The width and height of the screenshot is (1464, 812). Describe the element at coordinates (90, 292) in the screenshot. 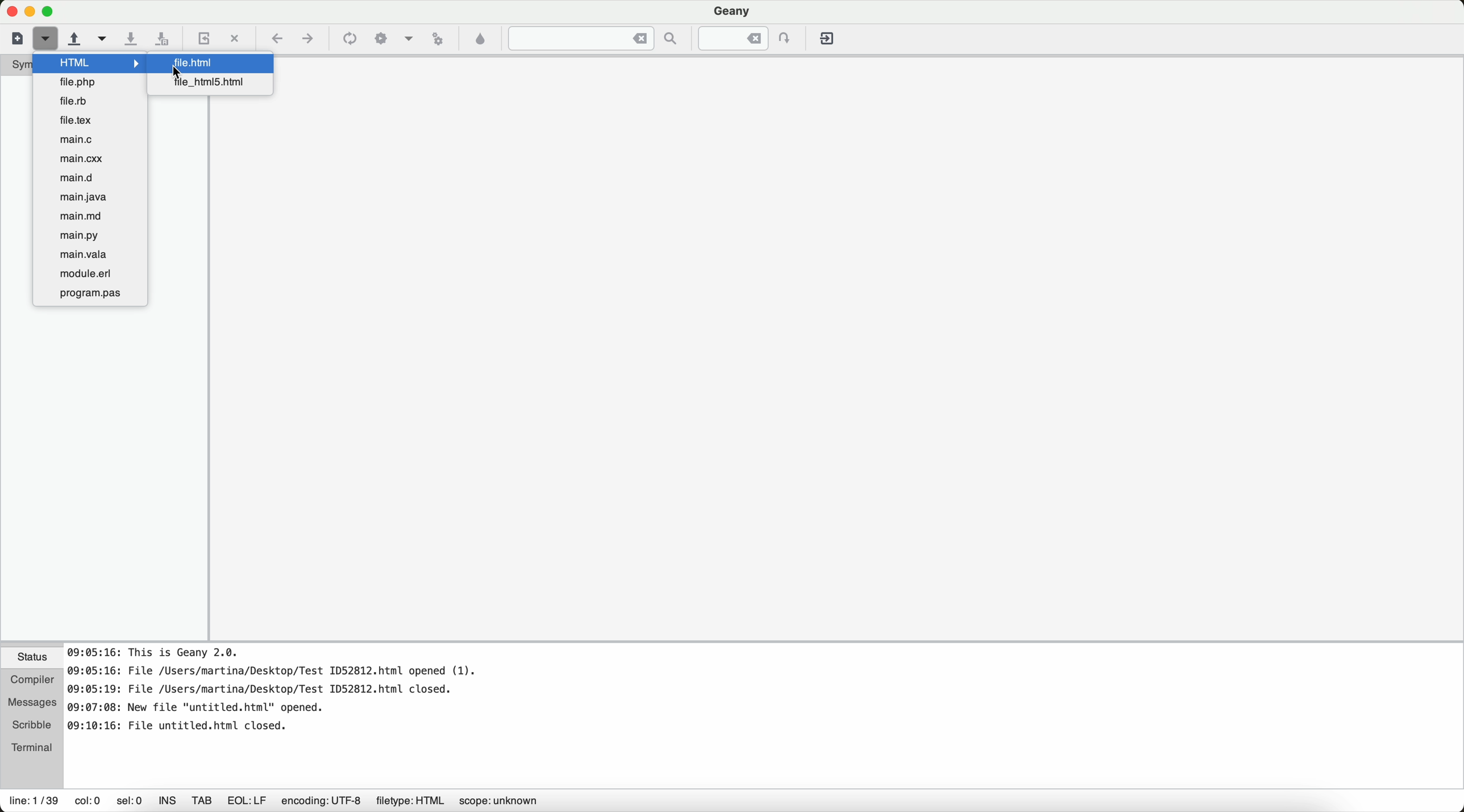

I see `program.pas` at that location.